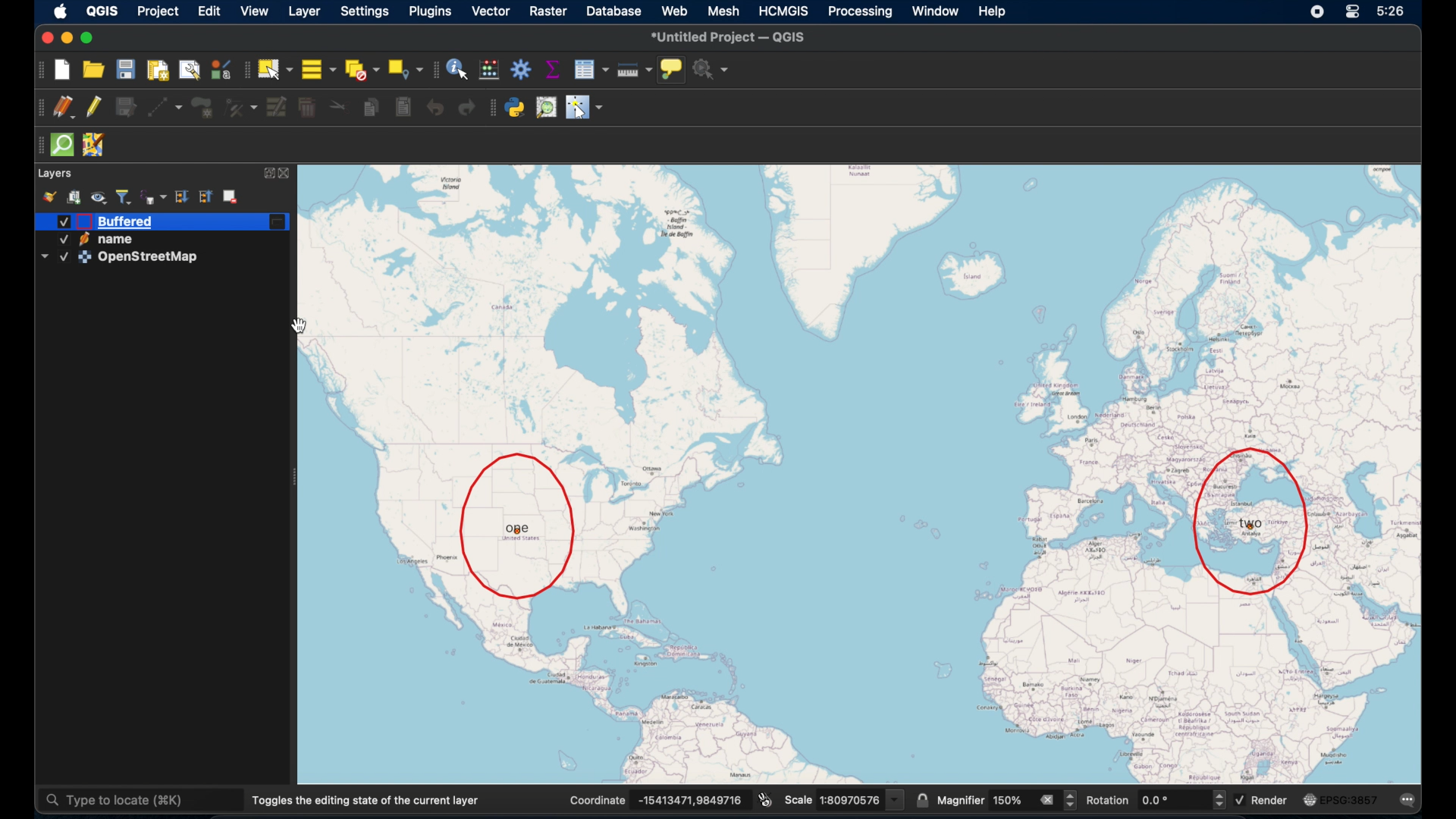 This screenshot has width=1456, height=819. I want to click on drag handles, so click(37, 108).